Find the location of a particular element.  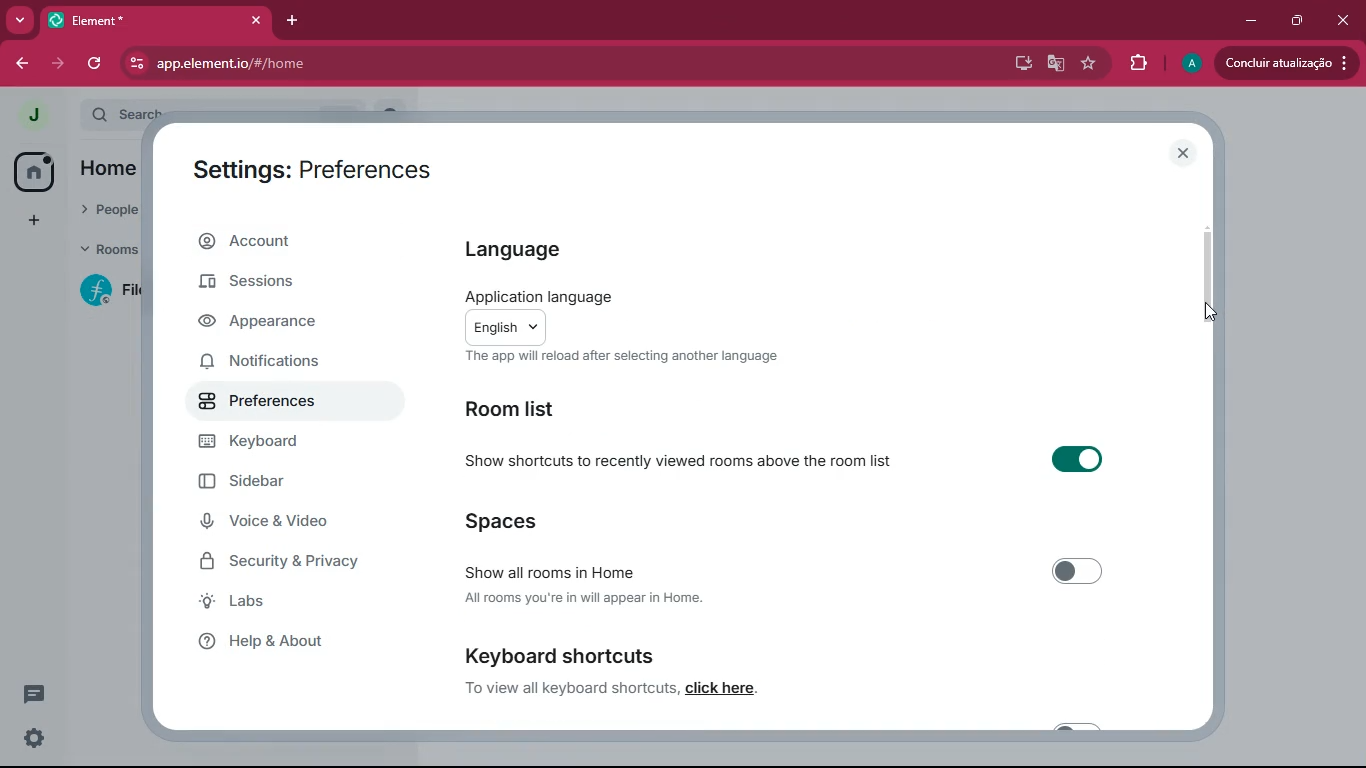

filecoin lotus implementation  is located at coordinates (114, 293).